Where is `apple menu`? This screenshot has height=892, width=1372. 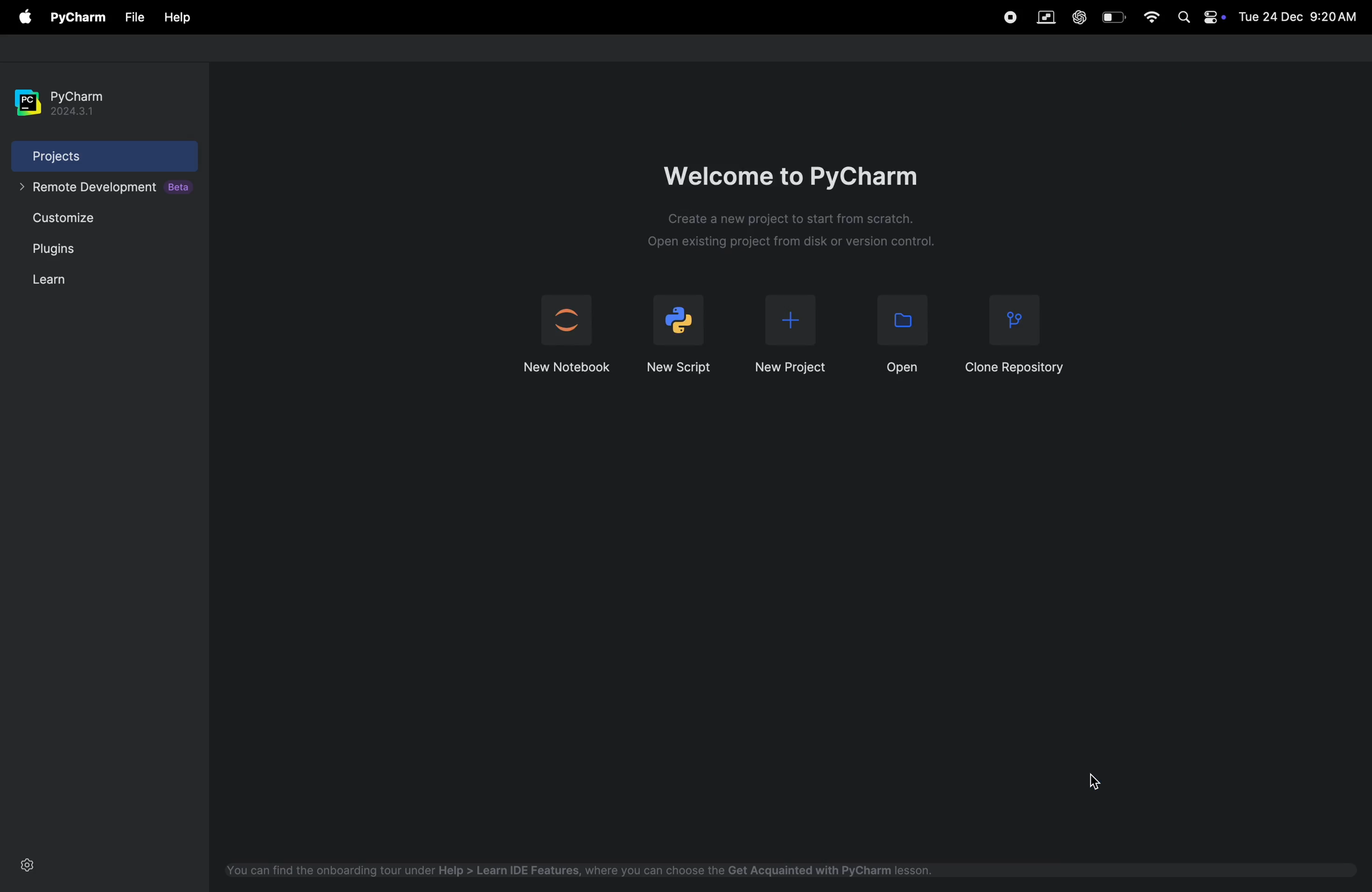
apple menu is located at coordinates (27, 18).